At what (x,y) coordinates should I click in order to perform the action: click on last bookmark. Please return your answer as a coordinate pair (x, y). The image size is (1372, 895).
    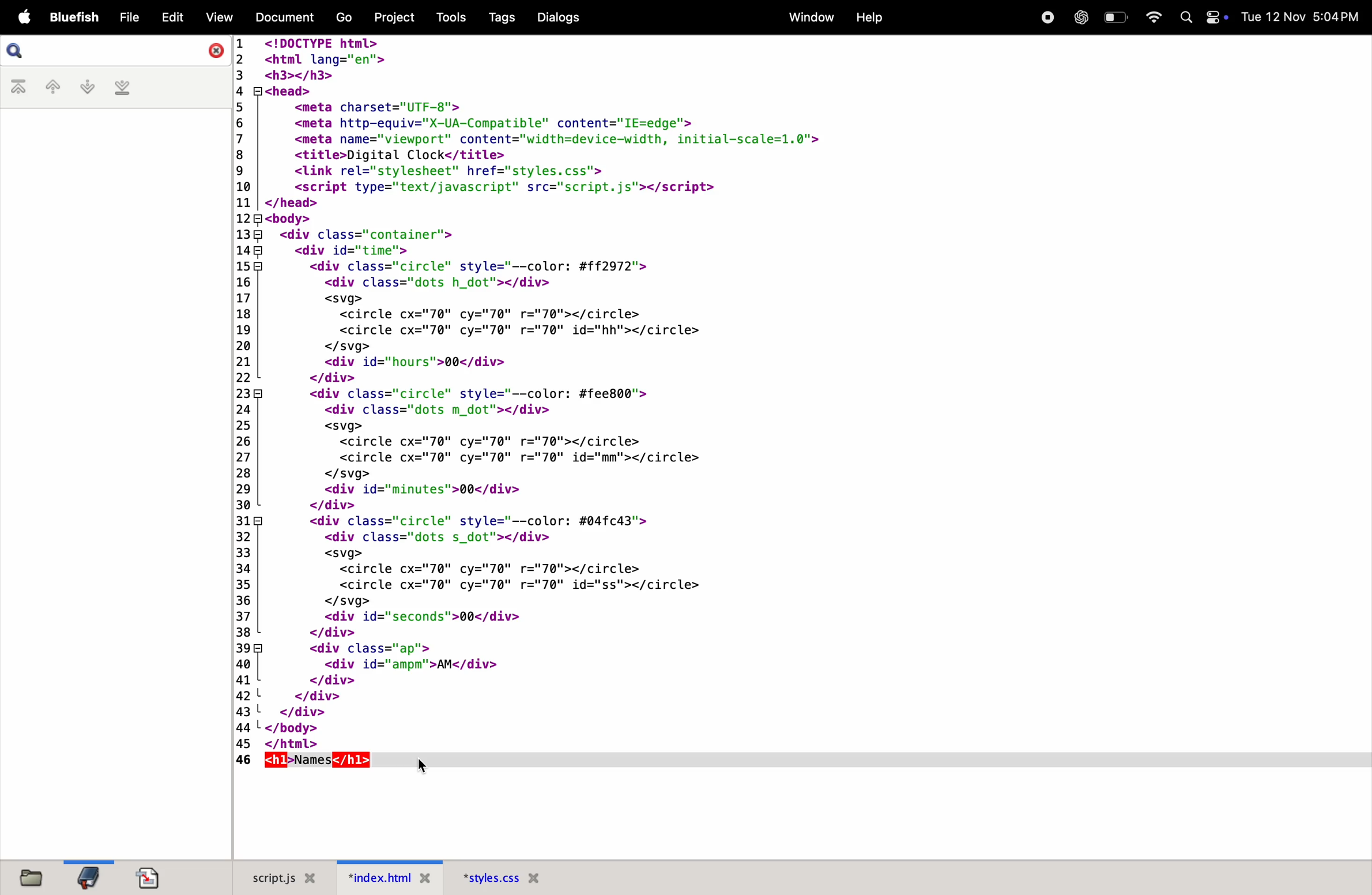
    Looking at the image, I should click on (122, 87).